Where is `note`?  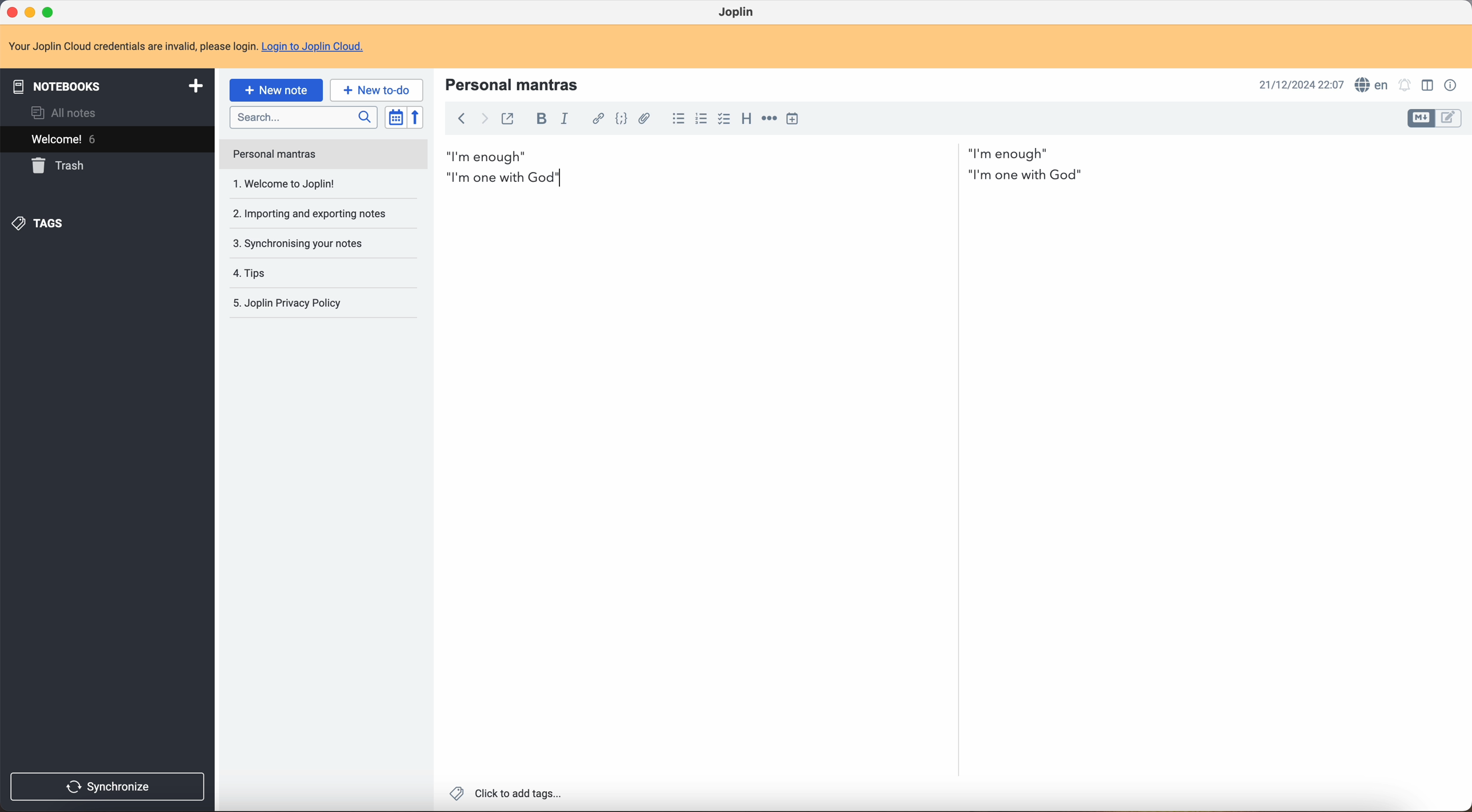 note is located at coordinates (187, 47).